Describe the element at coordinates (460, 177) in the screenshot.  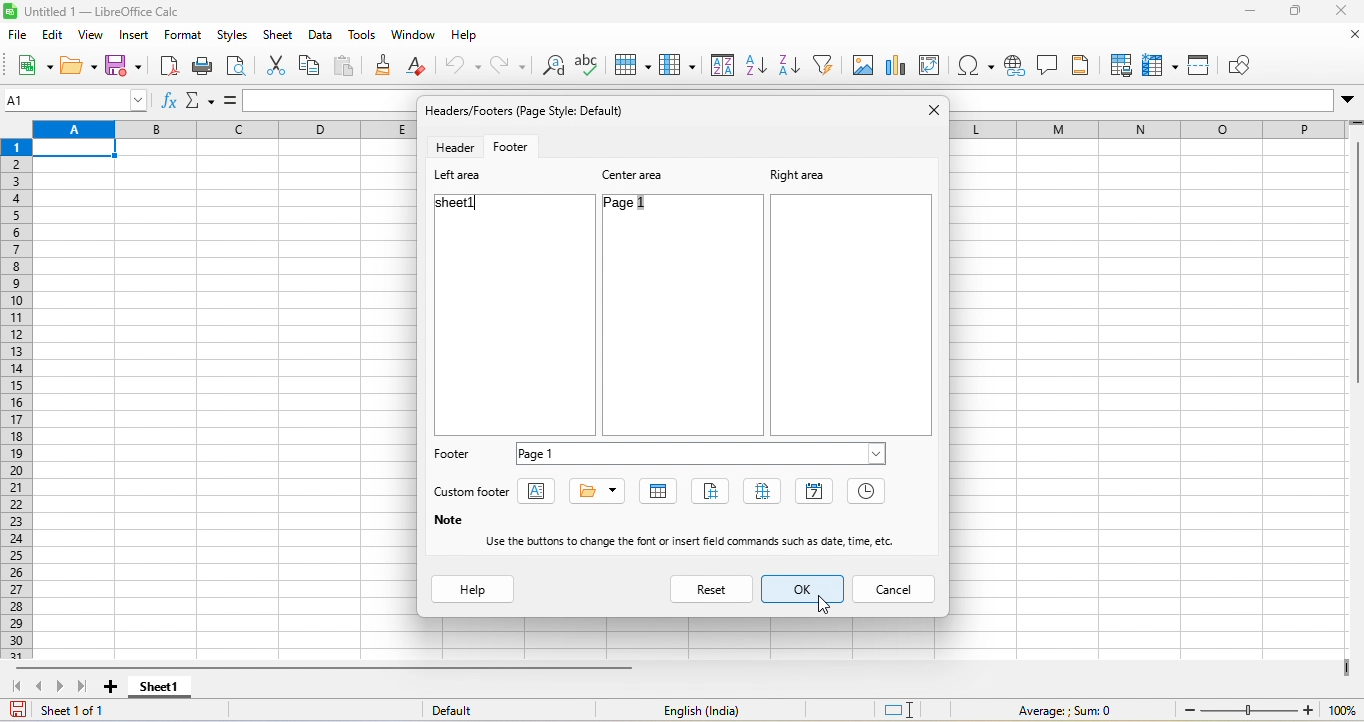
I see `left area` at that location.